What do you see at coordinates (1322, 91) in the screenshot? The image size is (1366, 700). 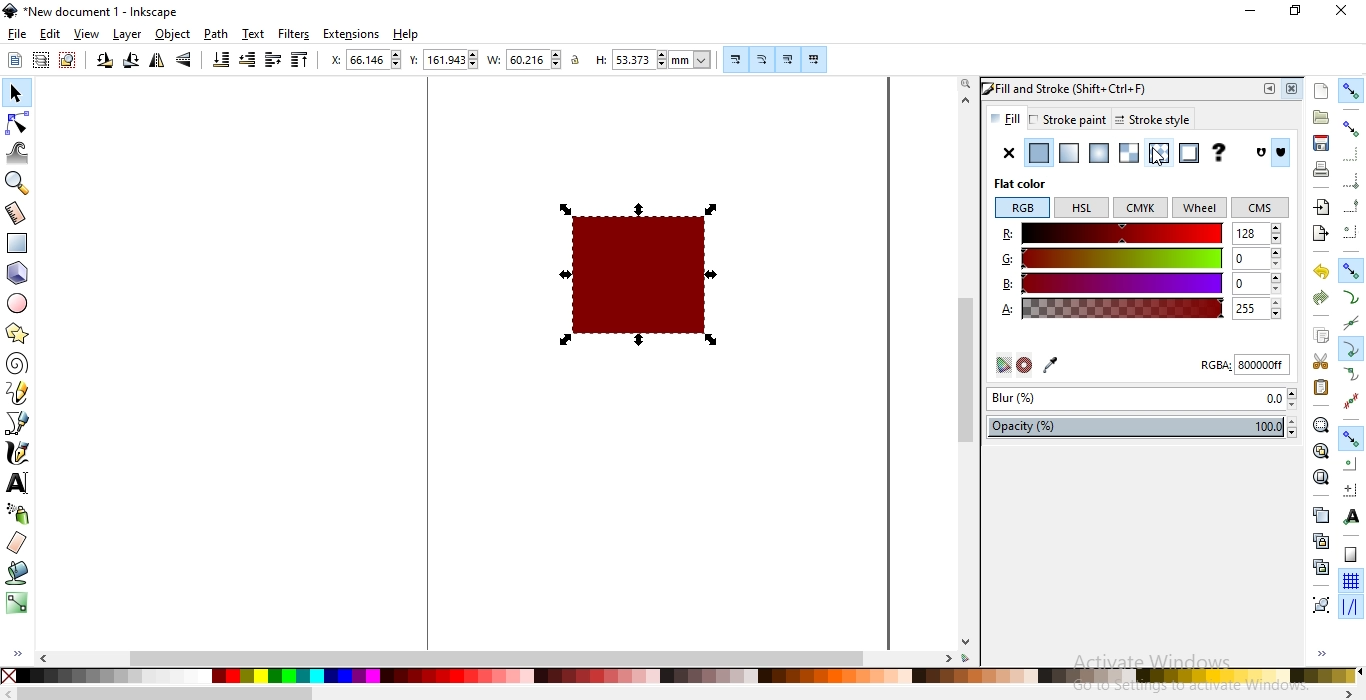 I see `create a new document` at bounding box center [1322, 91].